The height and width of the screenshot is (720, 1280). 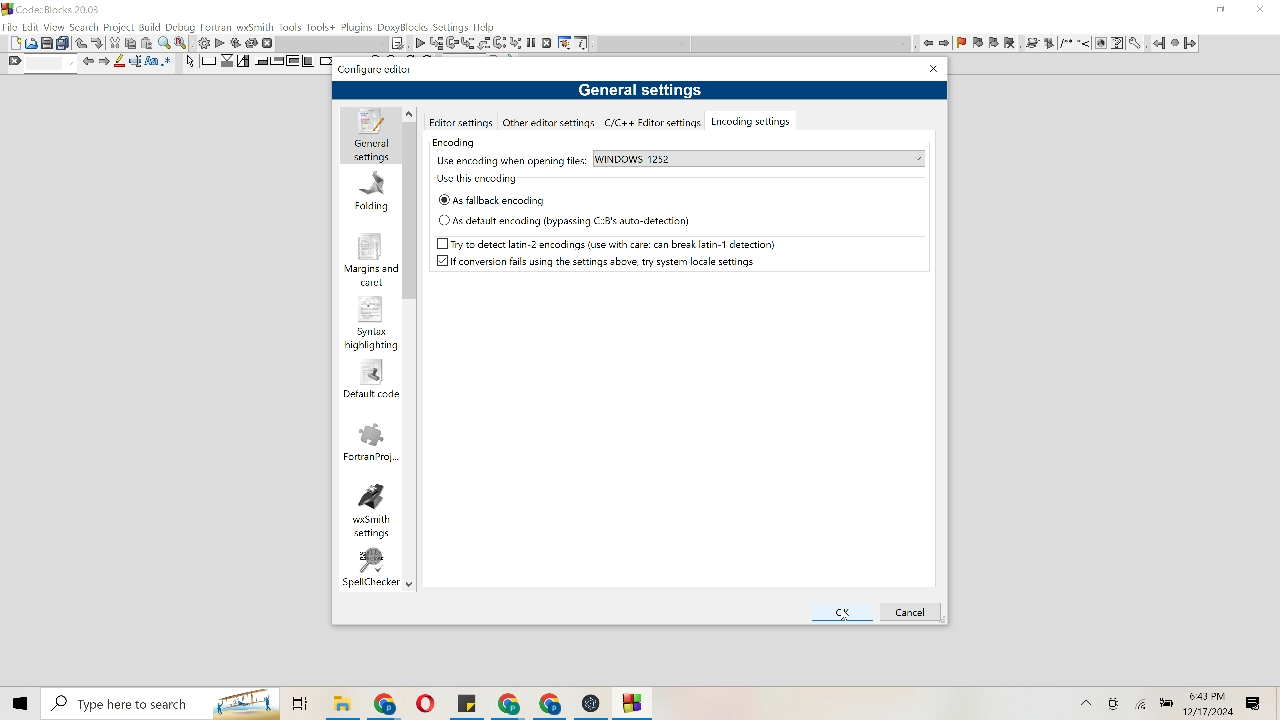 I want to click on Camera, so click(x=1116, y=703).